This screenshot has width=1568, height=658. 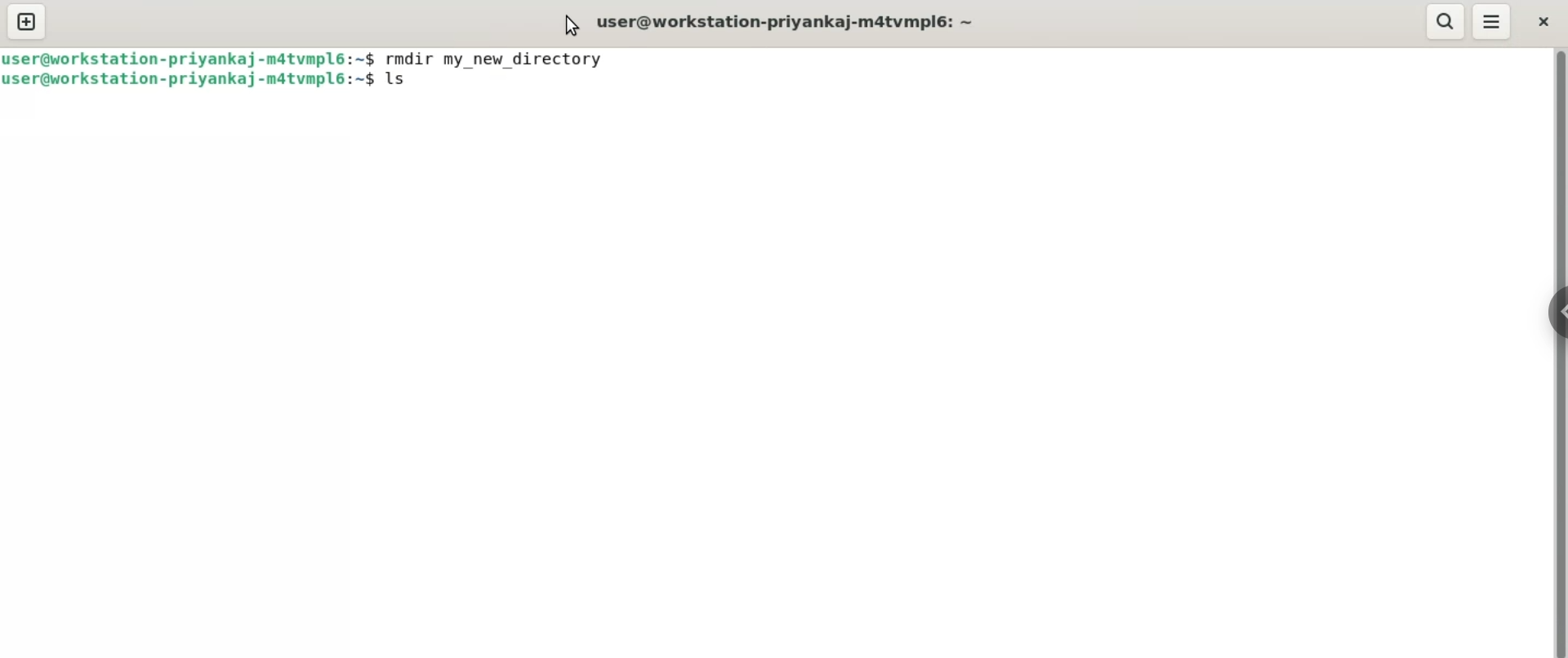 What do you see at coordinates (409, 81) in the screenshot?
I see `ls` at bounding box center [409, 81].